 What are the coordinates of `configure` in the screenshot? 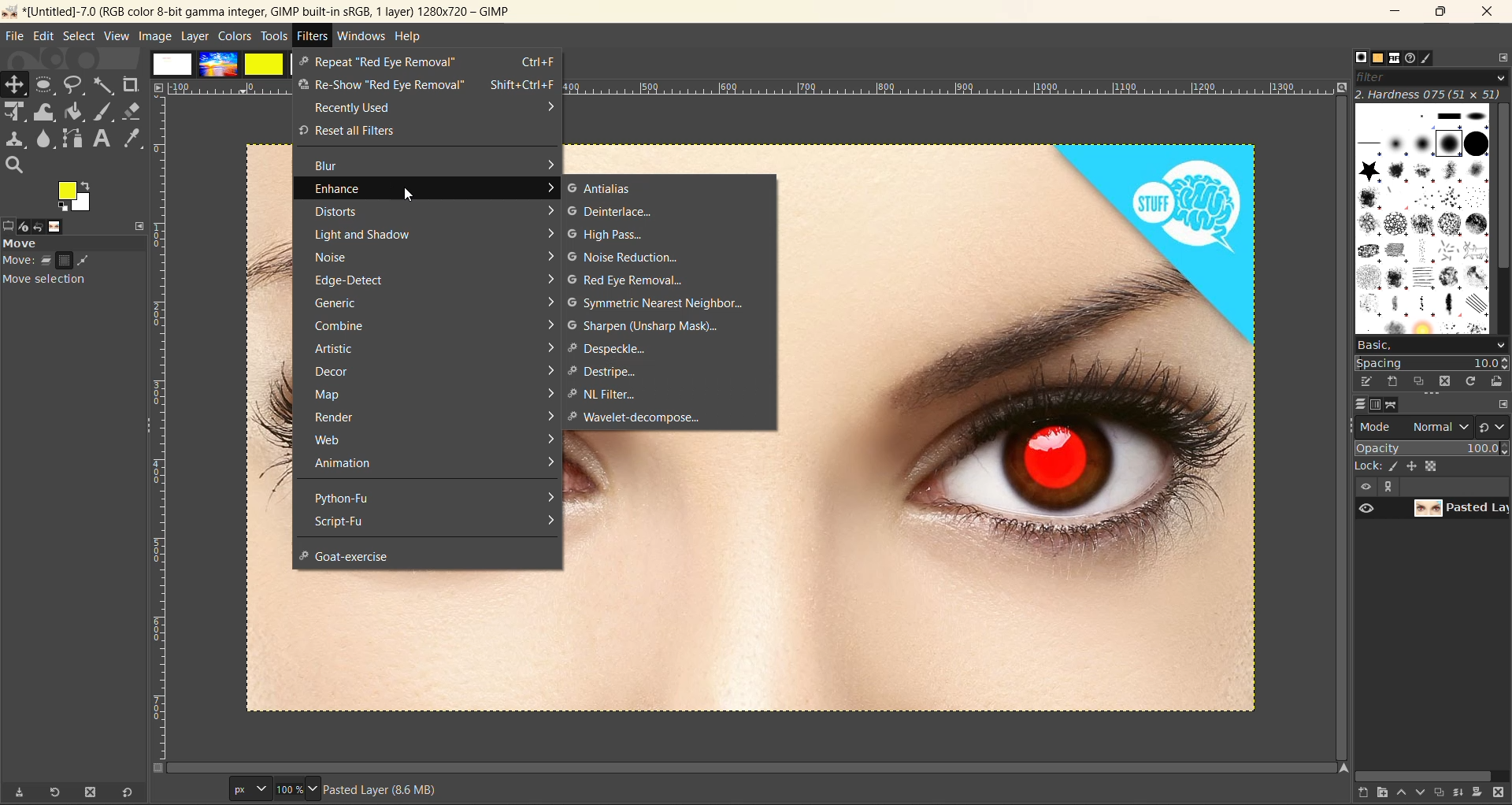 It's located at (1502, 404).